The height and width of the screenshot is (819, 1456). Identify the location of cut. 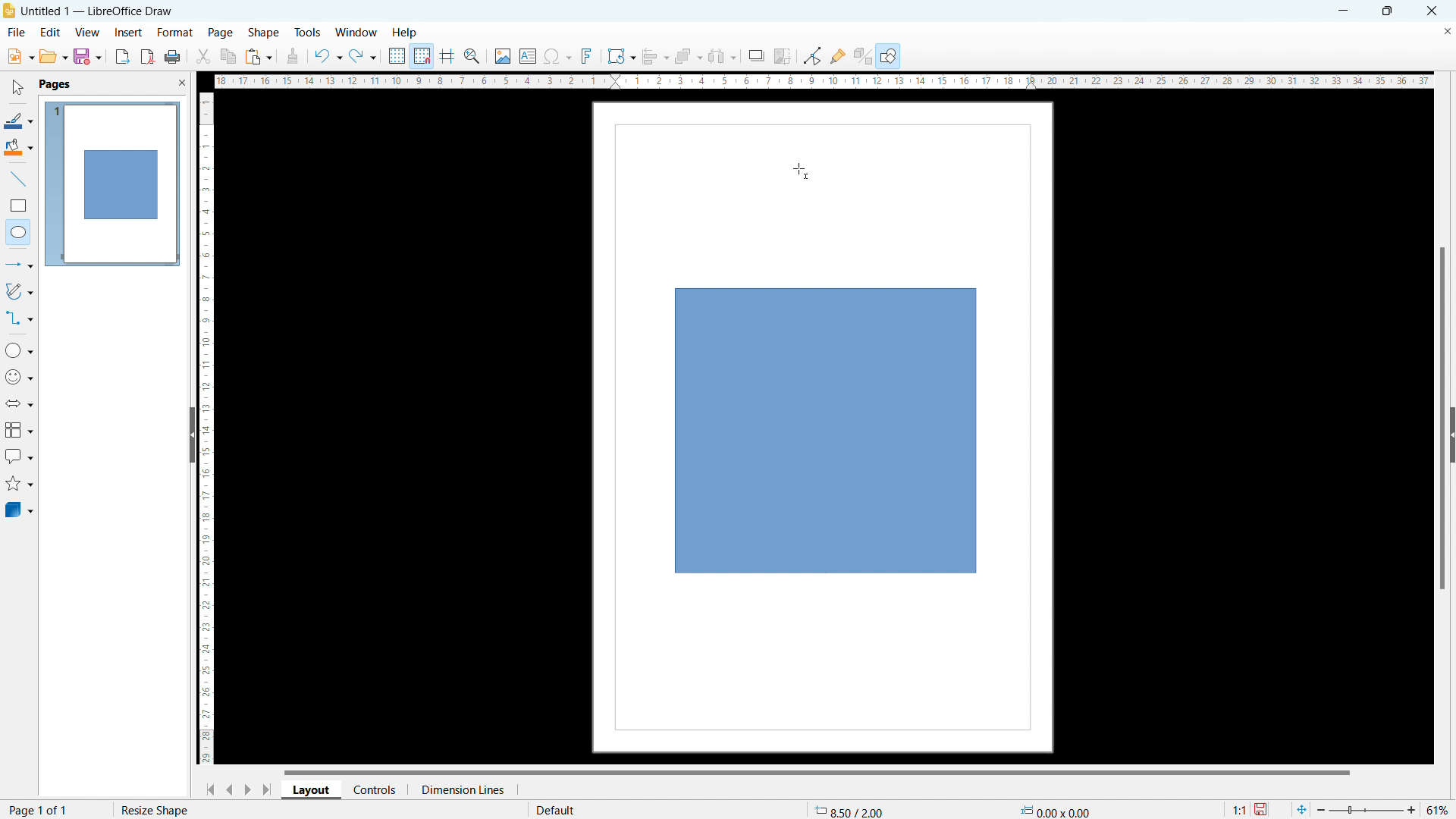
(204, 56).